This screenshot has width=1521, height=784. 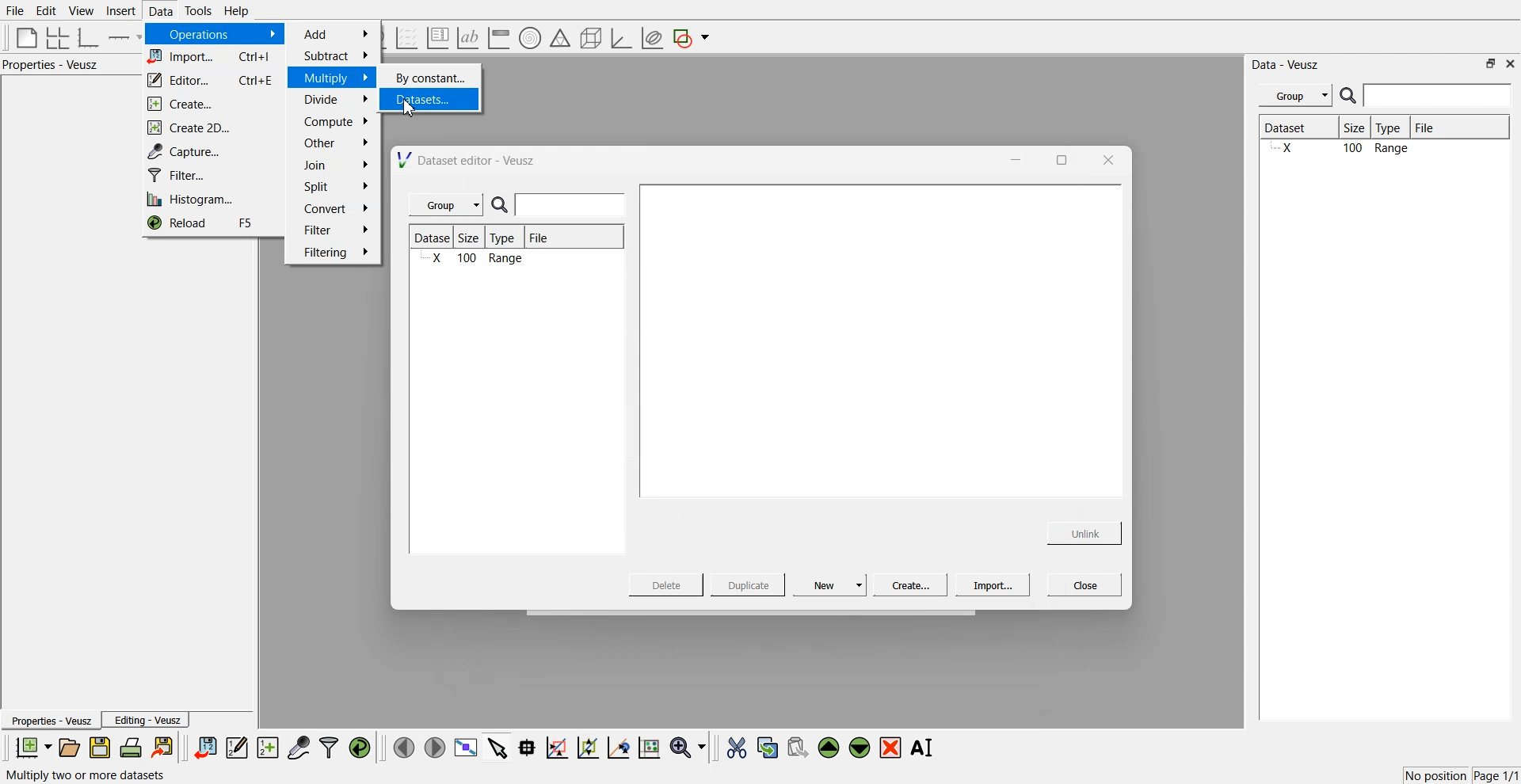 I want to click on print, so click(x=135, y=747).